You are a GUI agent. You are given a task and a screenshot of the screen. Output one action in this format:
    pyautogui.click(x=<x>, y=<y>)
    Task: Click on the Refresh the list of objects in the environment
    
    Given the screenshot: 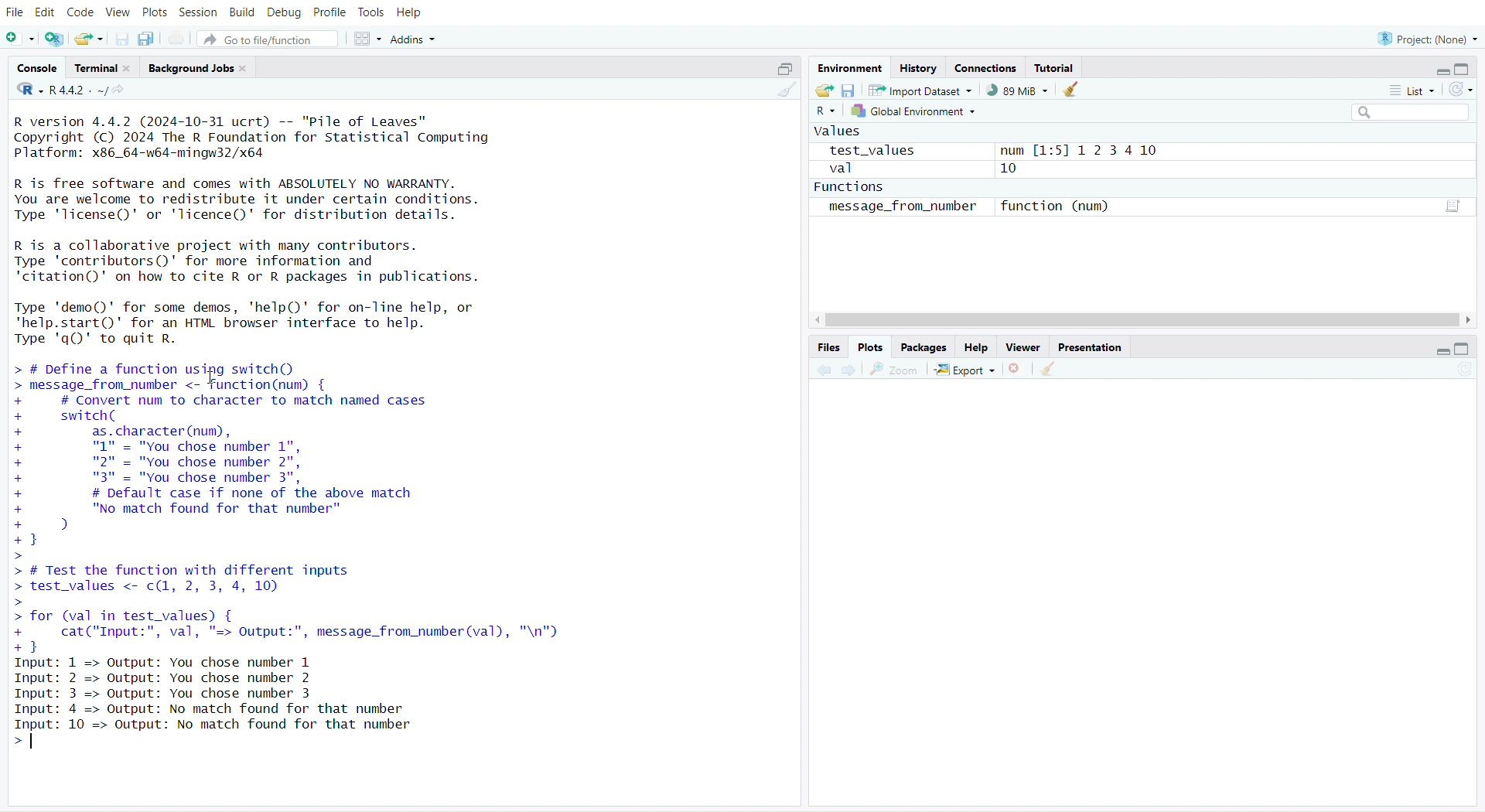 What is the action you would take?
    pyautogui.click(x=1462, y=89)
    